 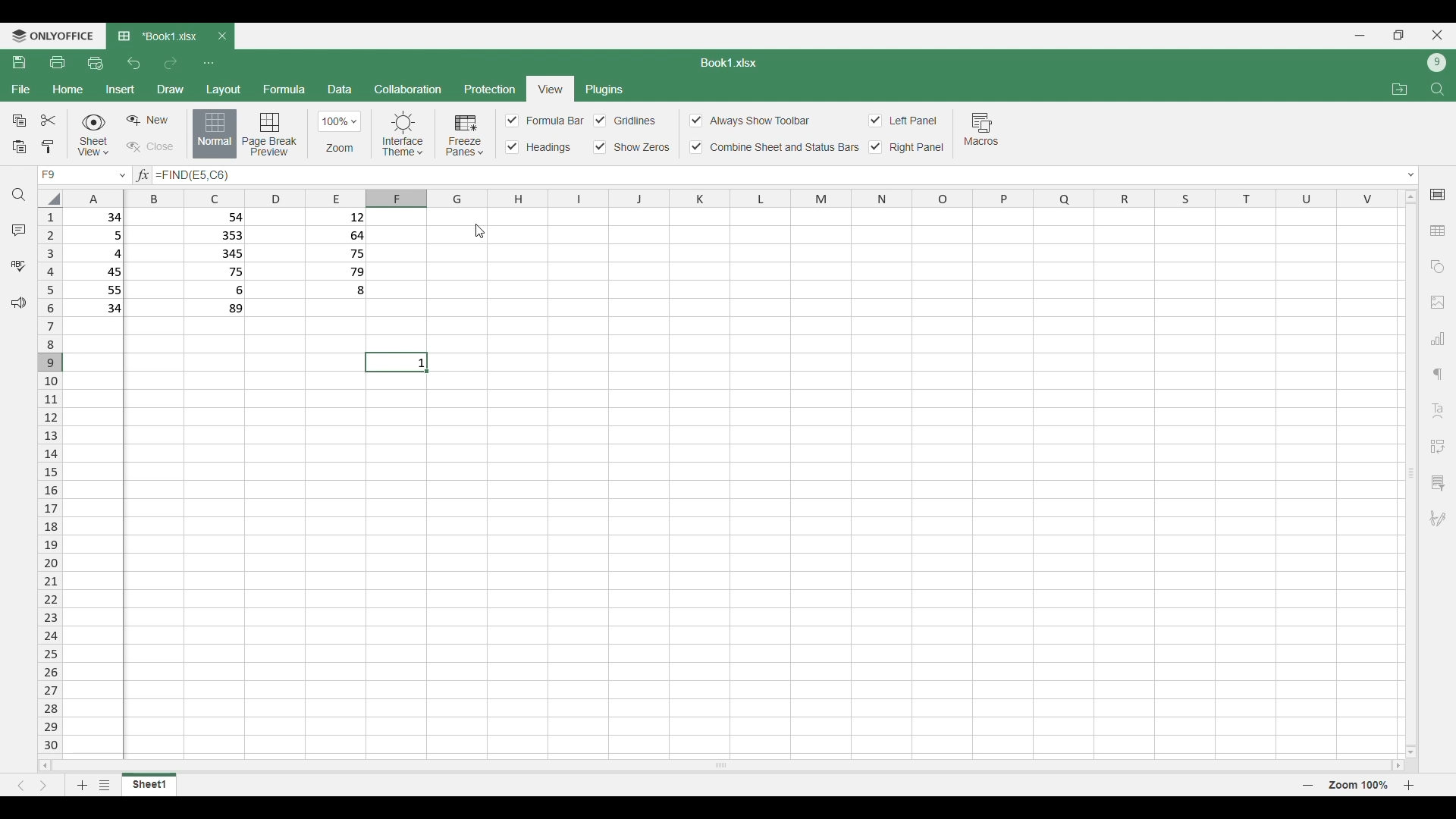 What do you see at coordinates (135, 64) in the screenshot?
I see `Undo` at bounding box center [135, 64].